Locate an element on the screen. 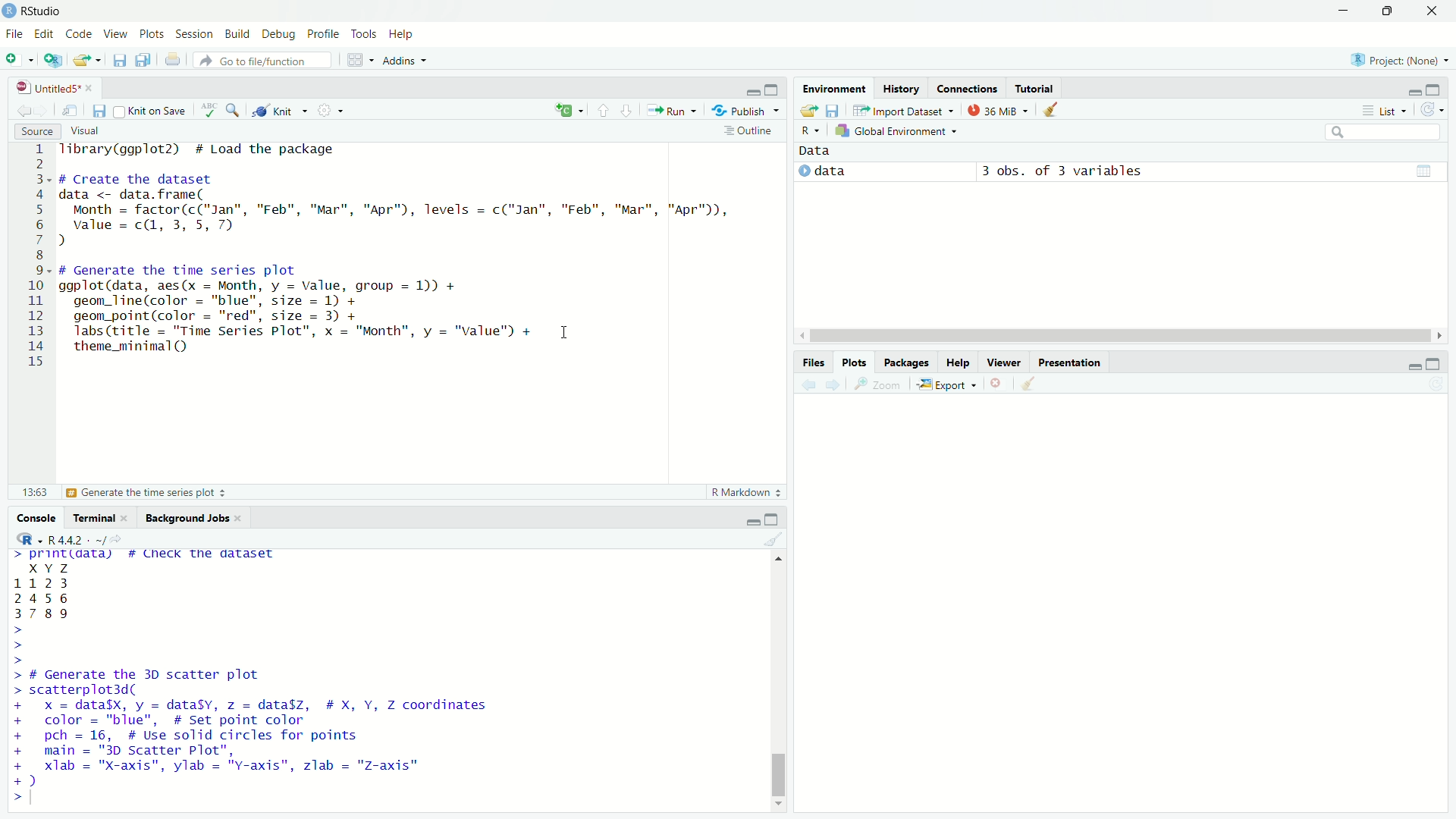 This screenshot has height=819, width=1456. Project: (None) is located at coordinates (1400, 60).